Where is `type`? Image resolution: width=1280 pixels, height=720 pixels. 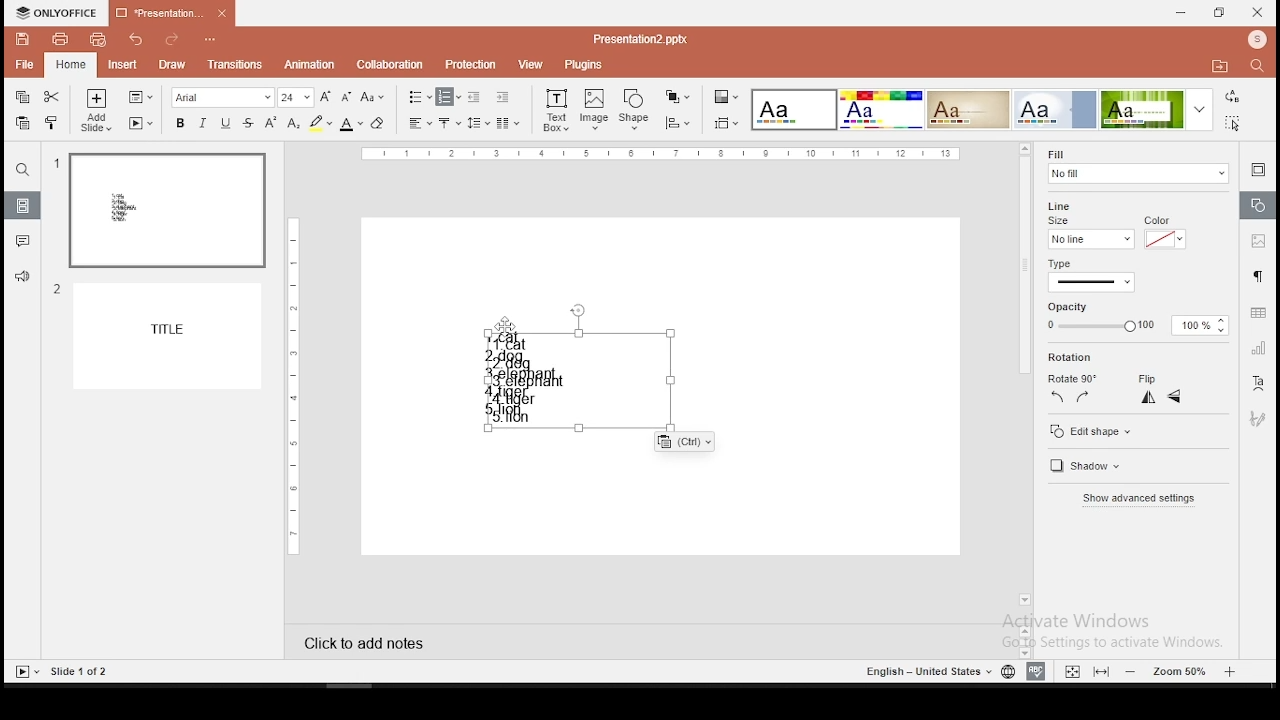
type is located at coordinates (1065, 263).